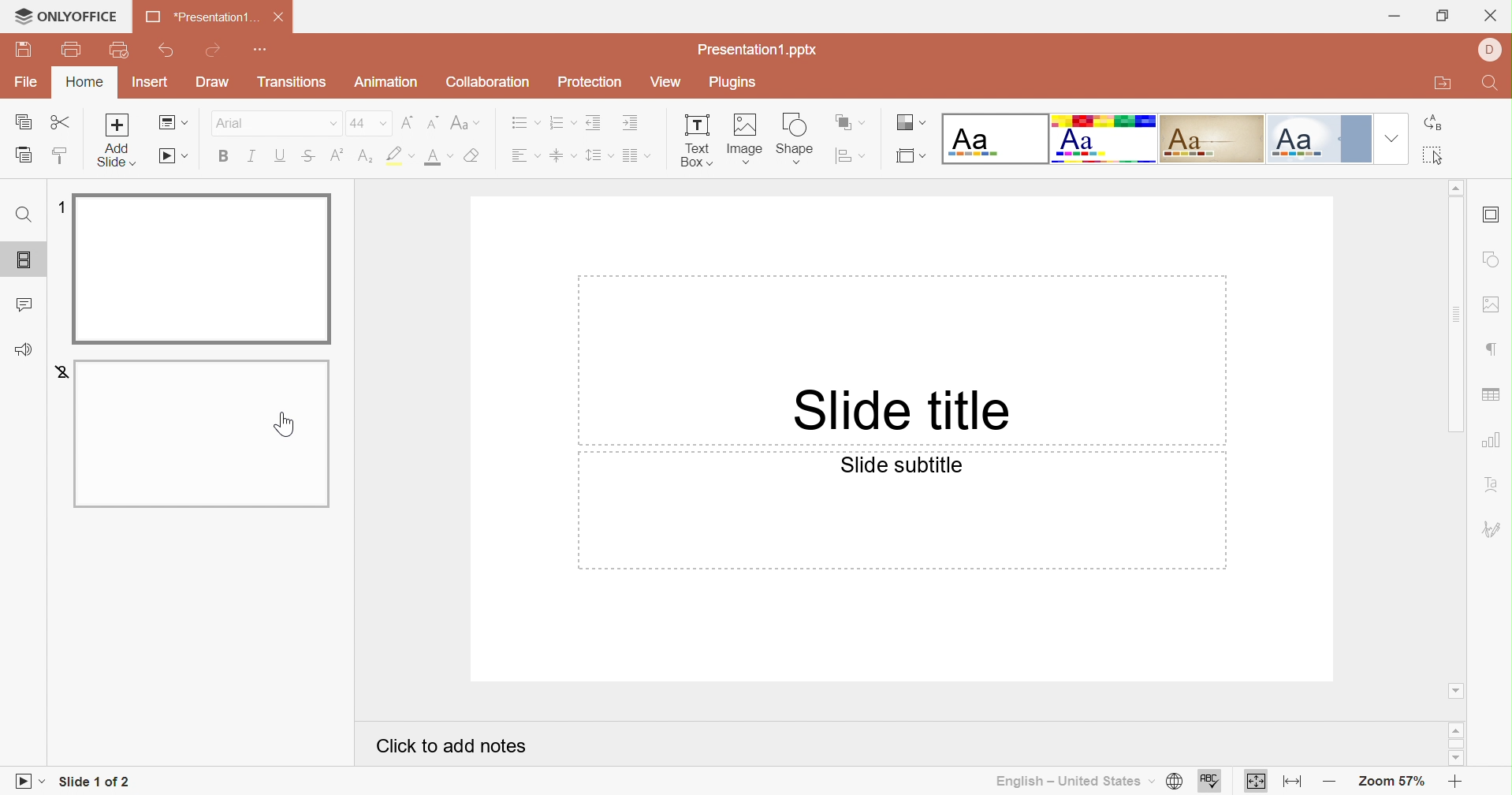 This screenshot has width=1512, height=795. I want to click on Collaboration, so click(487, 80).